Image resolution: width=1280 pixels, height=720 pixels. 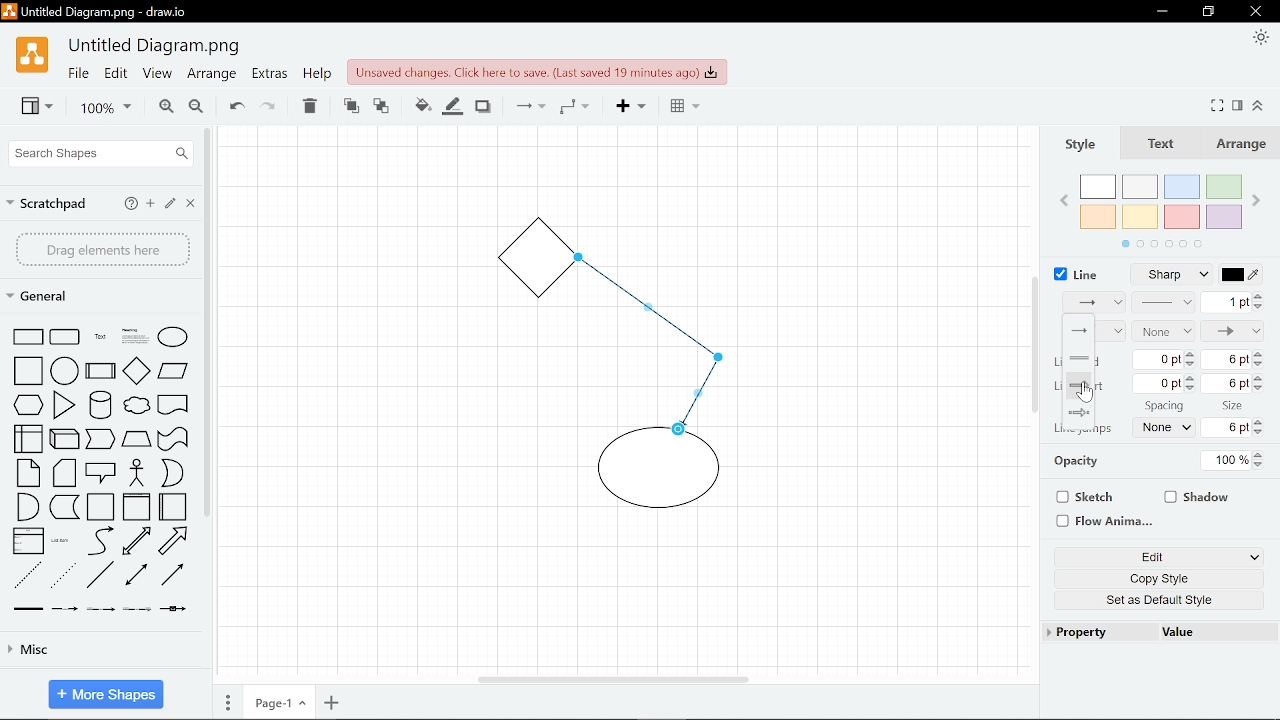 I want to click on shape, so click(x=136, y=336).